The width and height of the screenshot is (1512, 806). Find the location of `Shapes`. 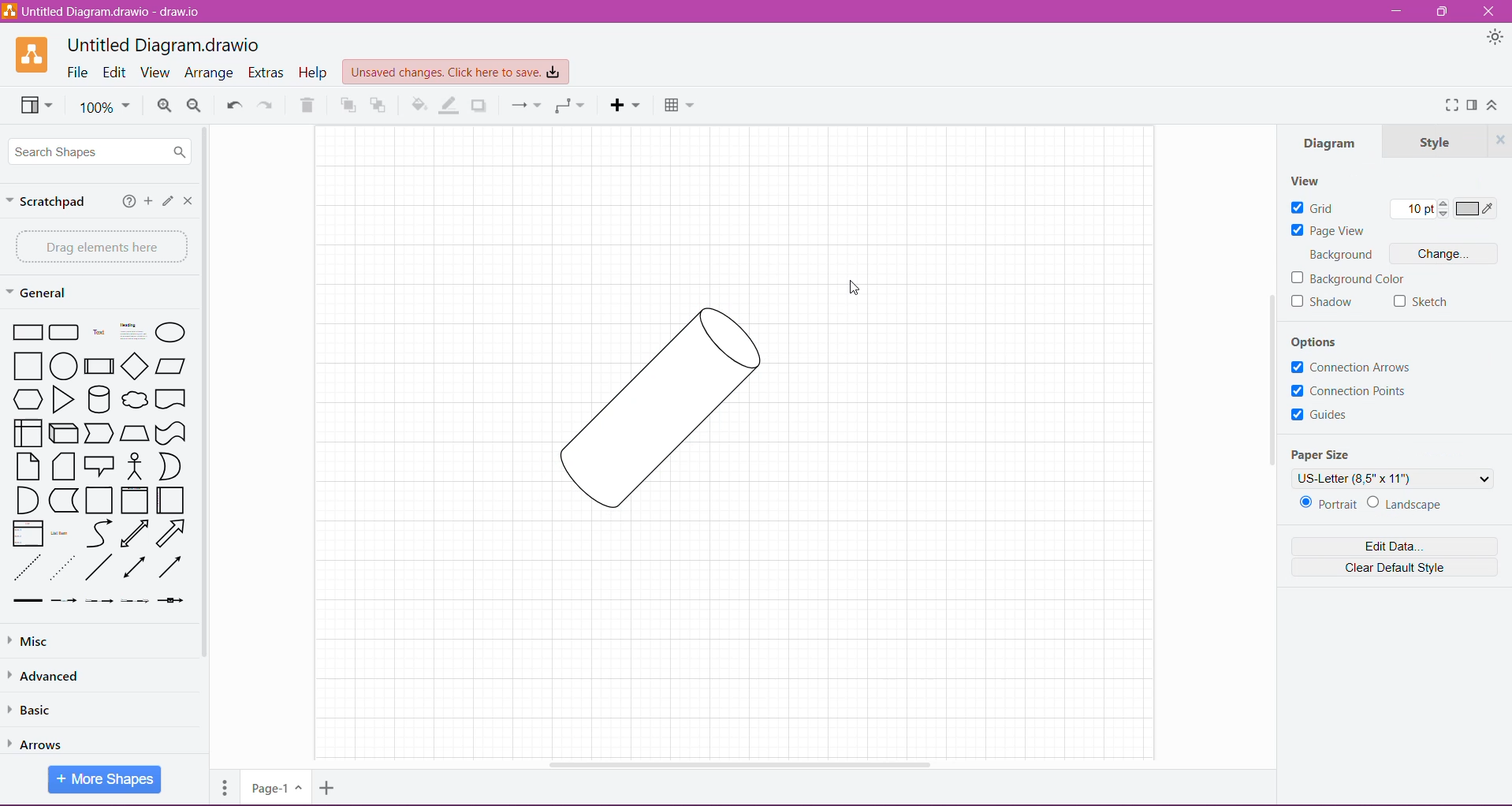

Shapes is located at coordinates (96, 461).